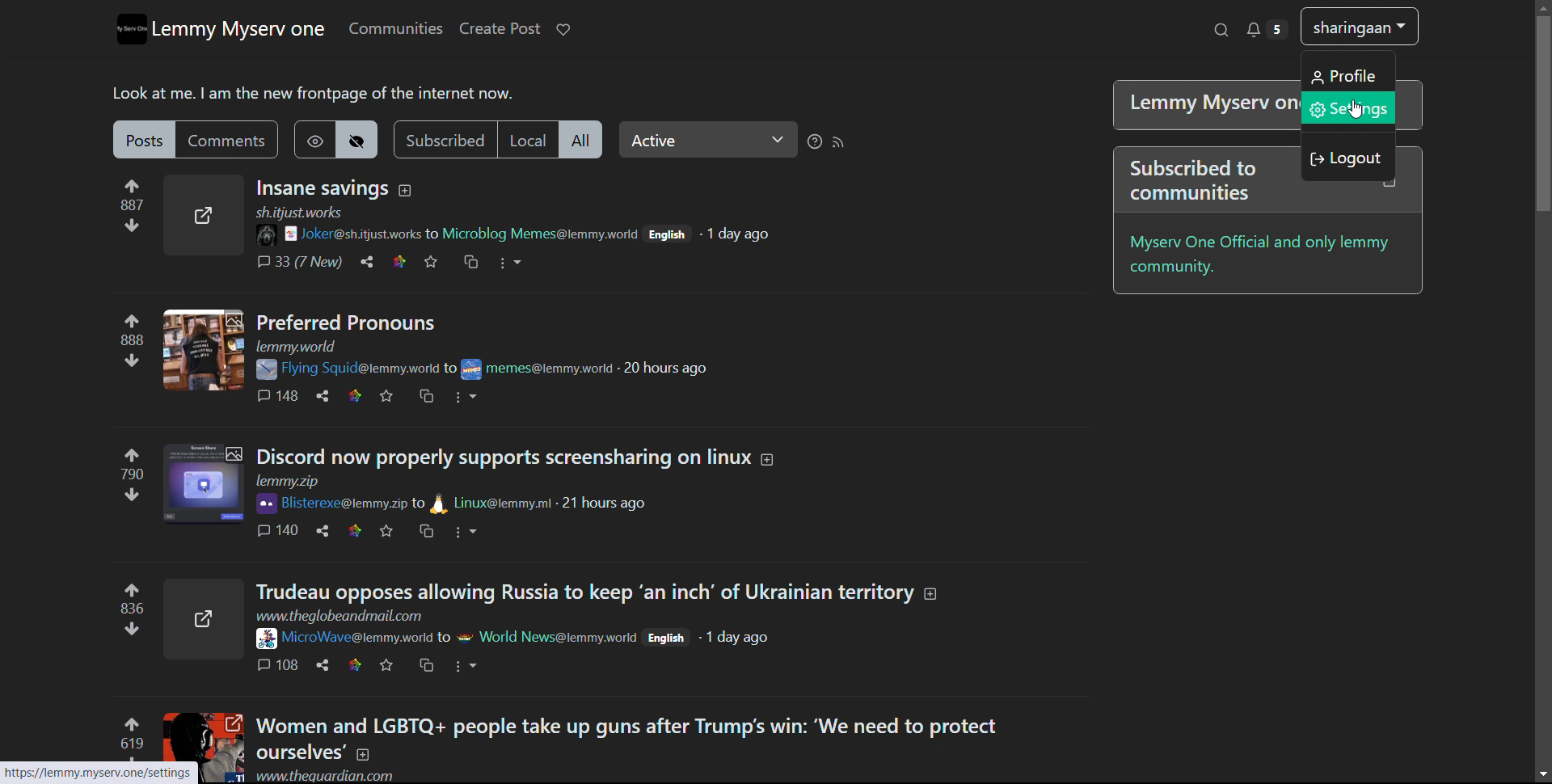  Describe the element at coordinates (277, 530) in the screenshot. I see `comments 140` at that location.